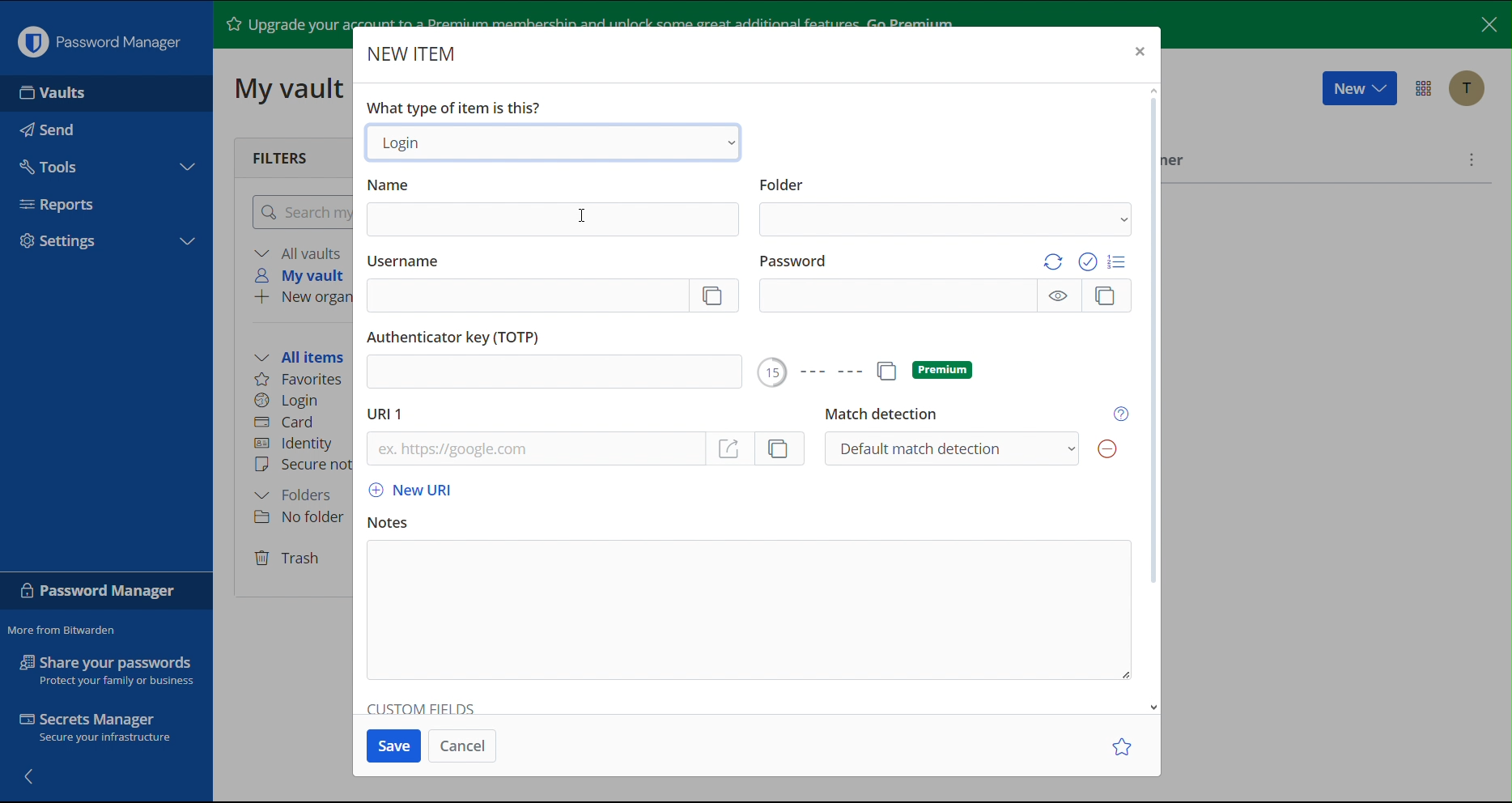  What do you see at coordinates (103, 206) in the screenshot?
I see `Reports` at bounding box center [103, 206].